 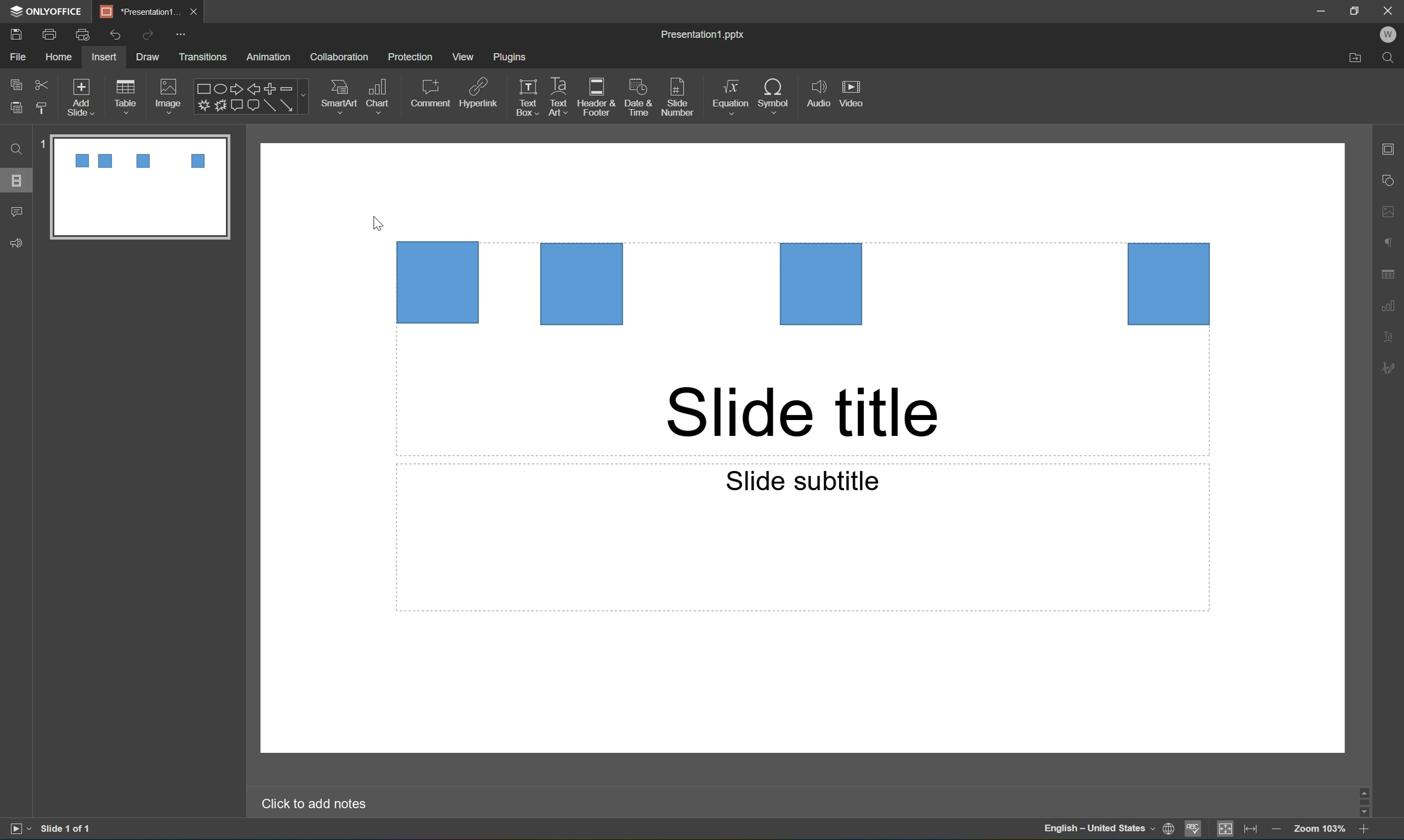 I want to click on collaboration, so click(x=341, y=57).